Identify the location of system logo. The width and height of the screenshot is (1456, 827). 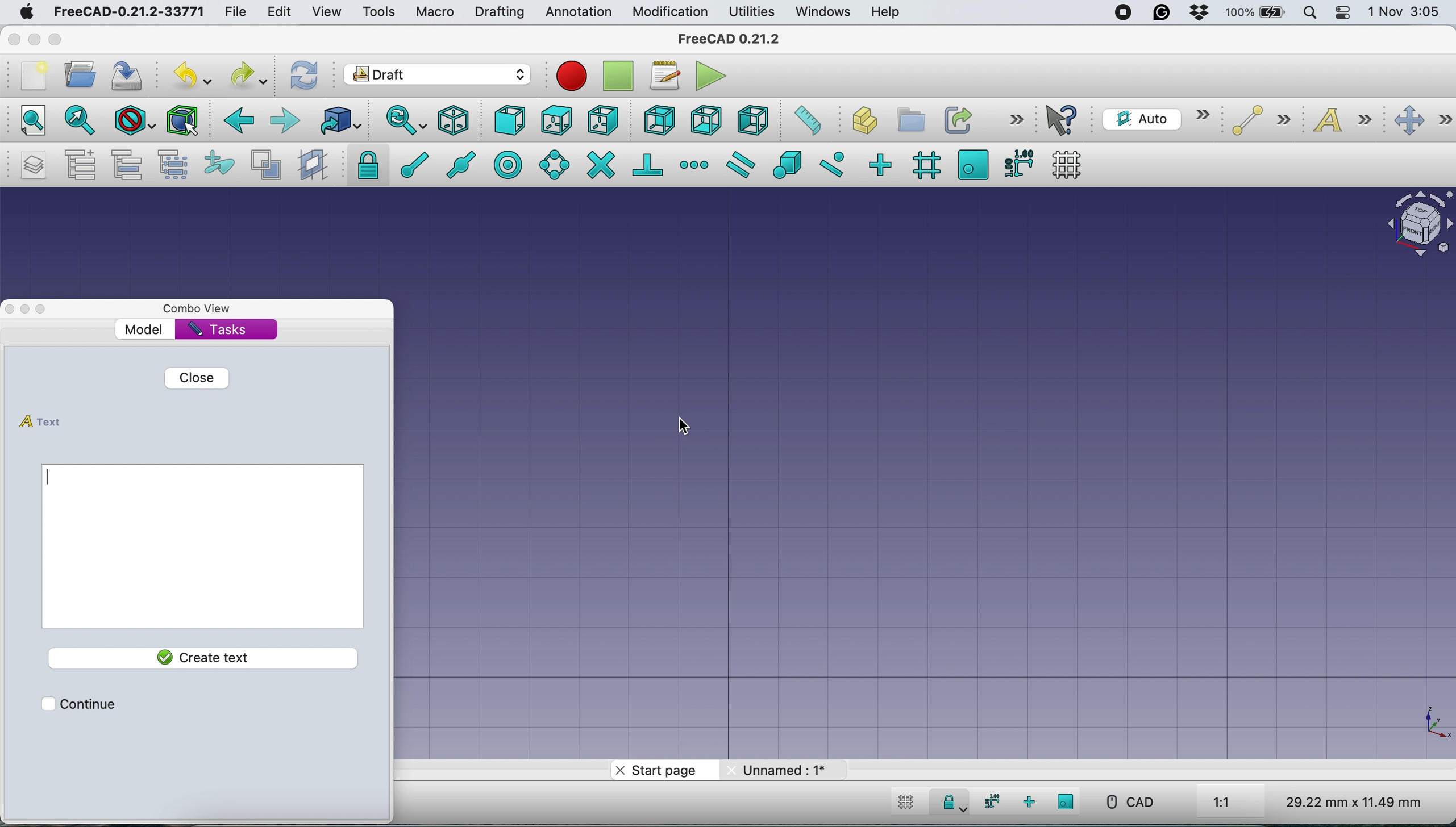
(25, 11).